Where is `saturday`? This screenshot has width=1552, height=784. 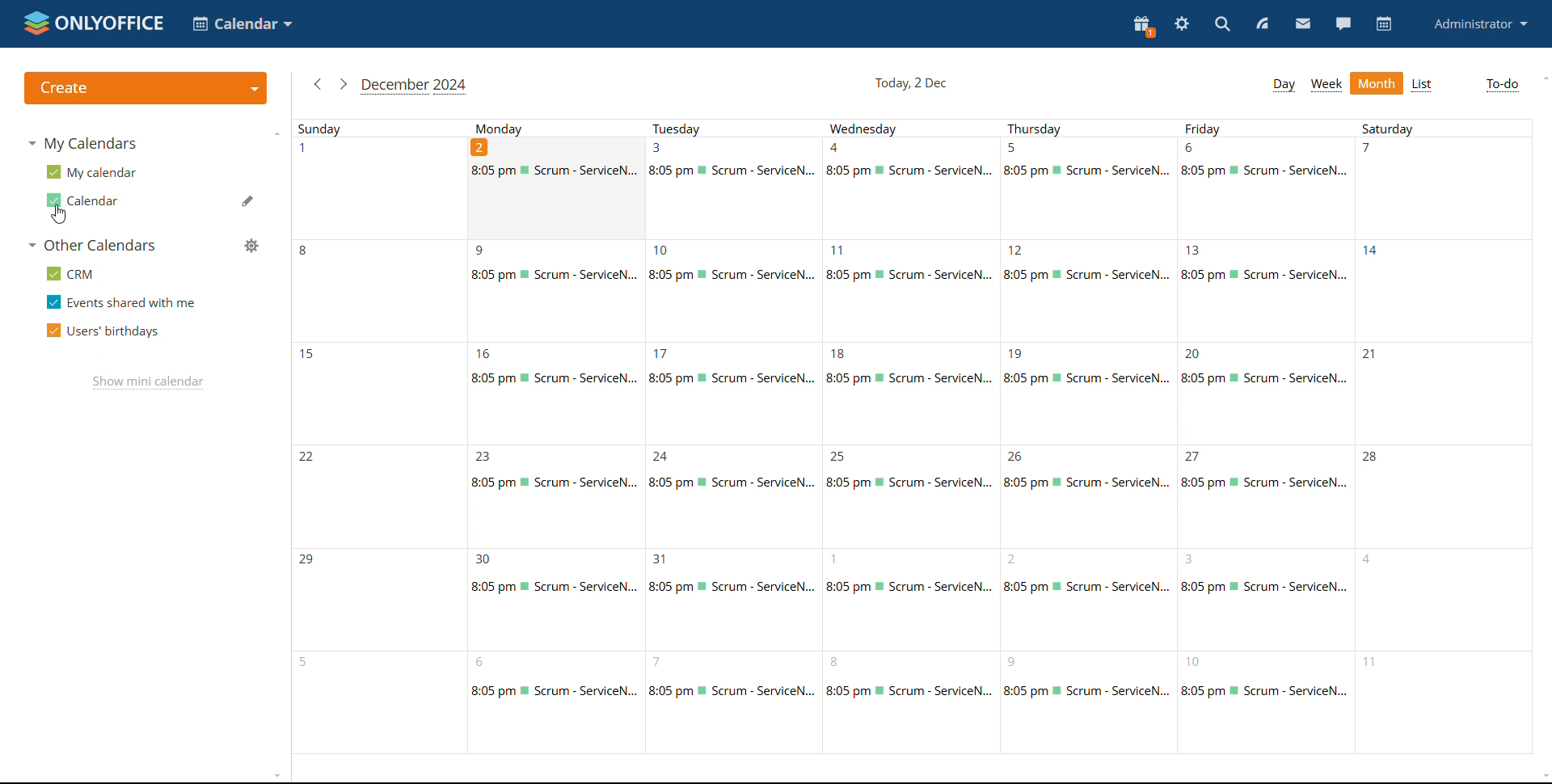 saturday is located at coordinates (1443, 127).